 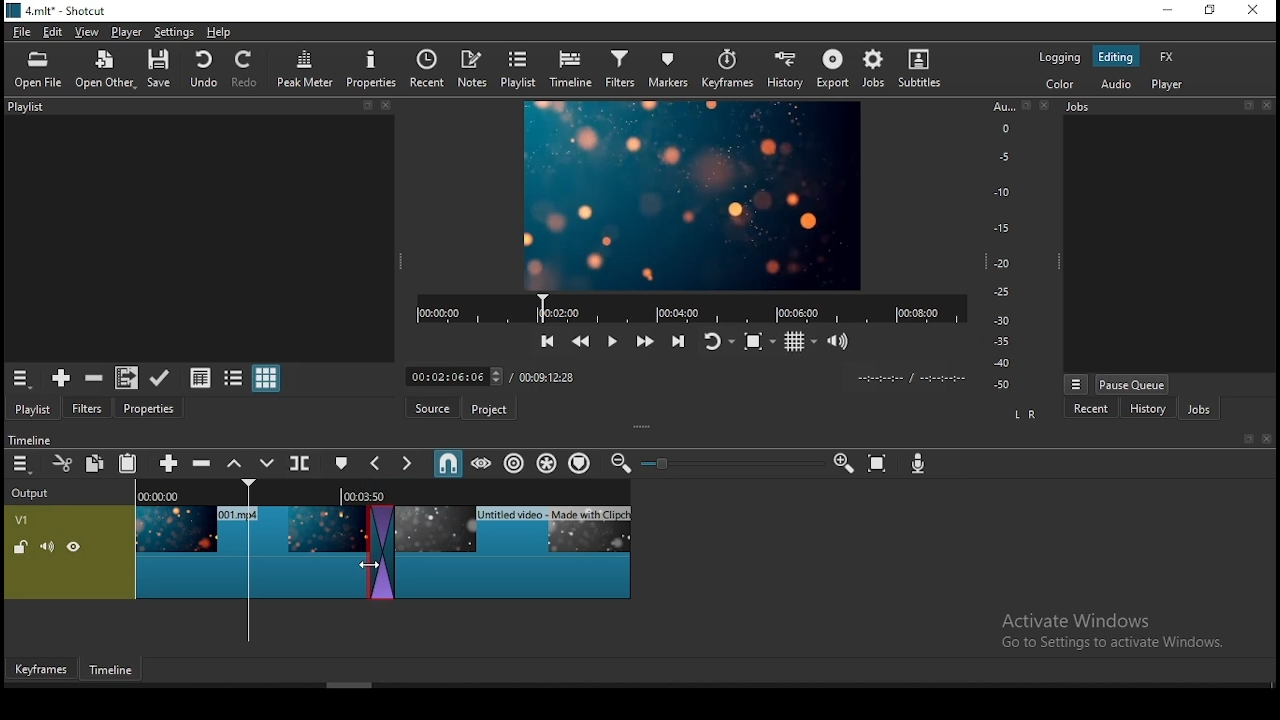 I want to click on playlist, so click(x=520, y=69).